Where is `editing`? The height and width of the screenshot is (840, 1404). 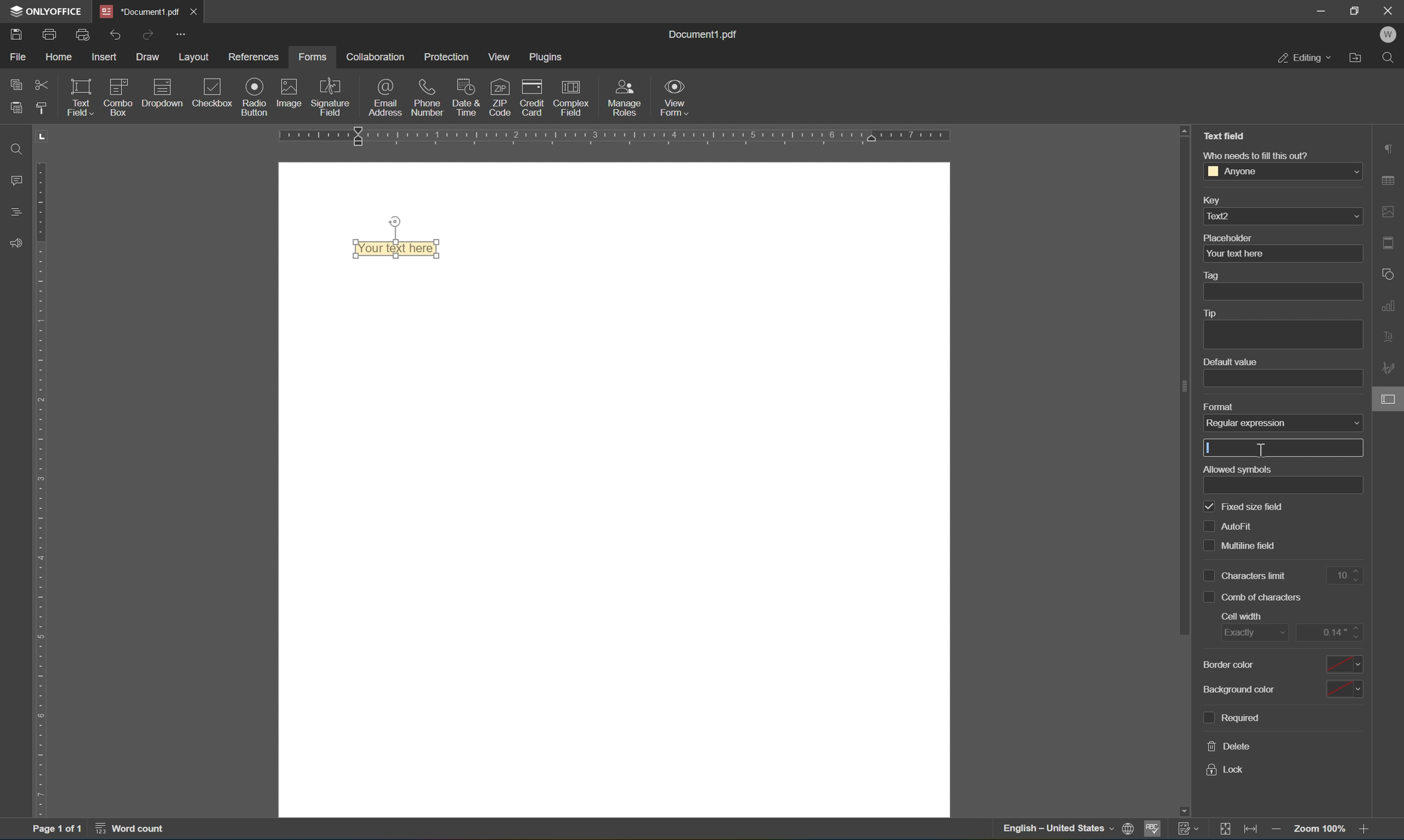
editing is located at coordinates (1302, 58).